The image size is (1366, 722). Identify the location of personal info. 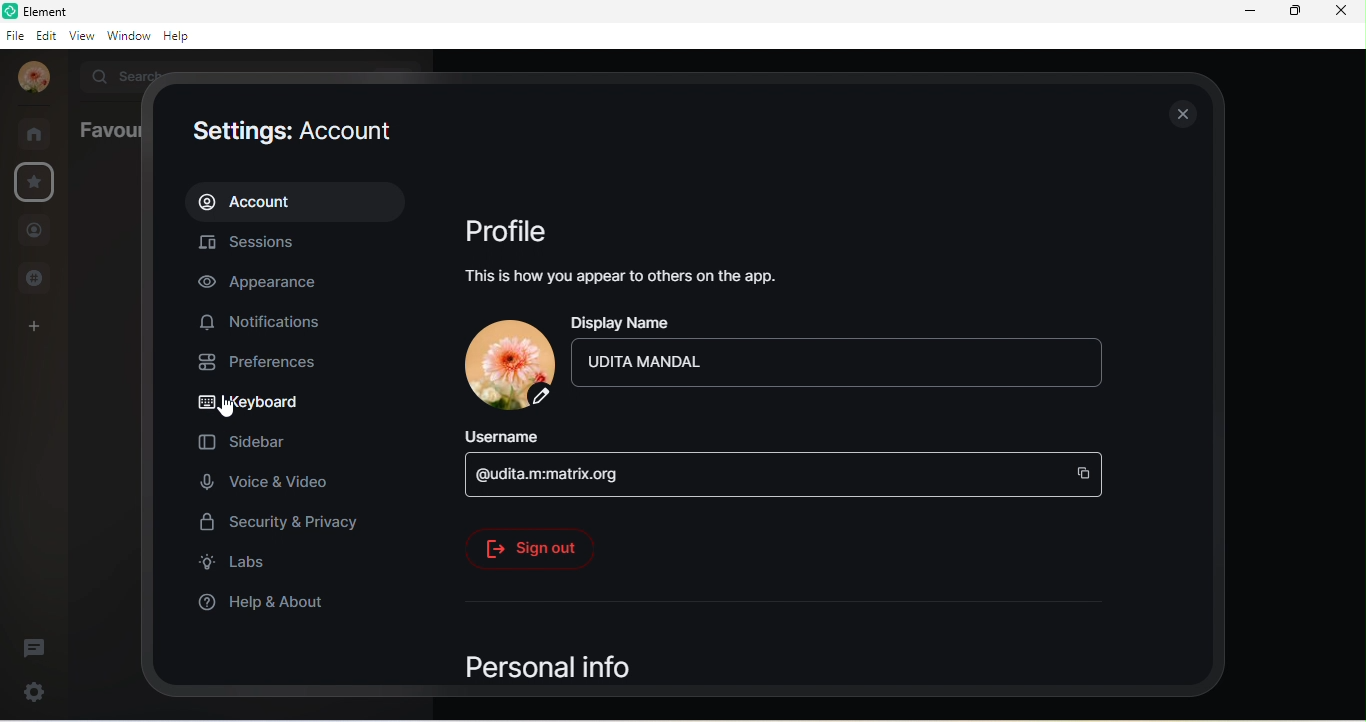
(550, 665).